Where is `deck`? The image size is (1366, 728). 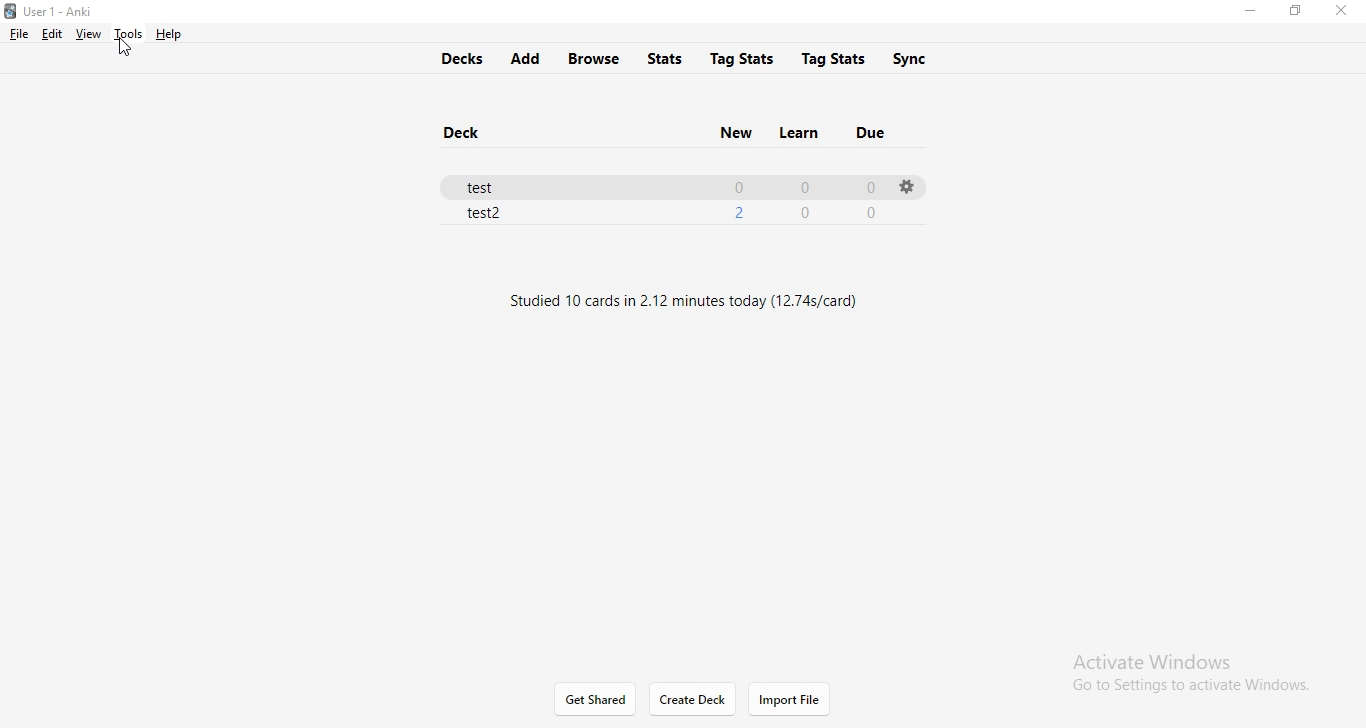 deck is located at coordinates (460, 133).